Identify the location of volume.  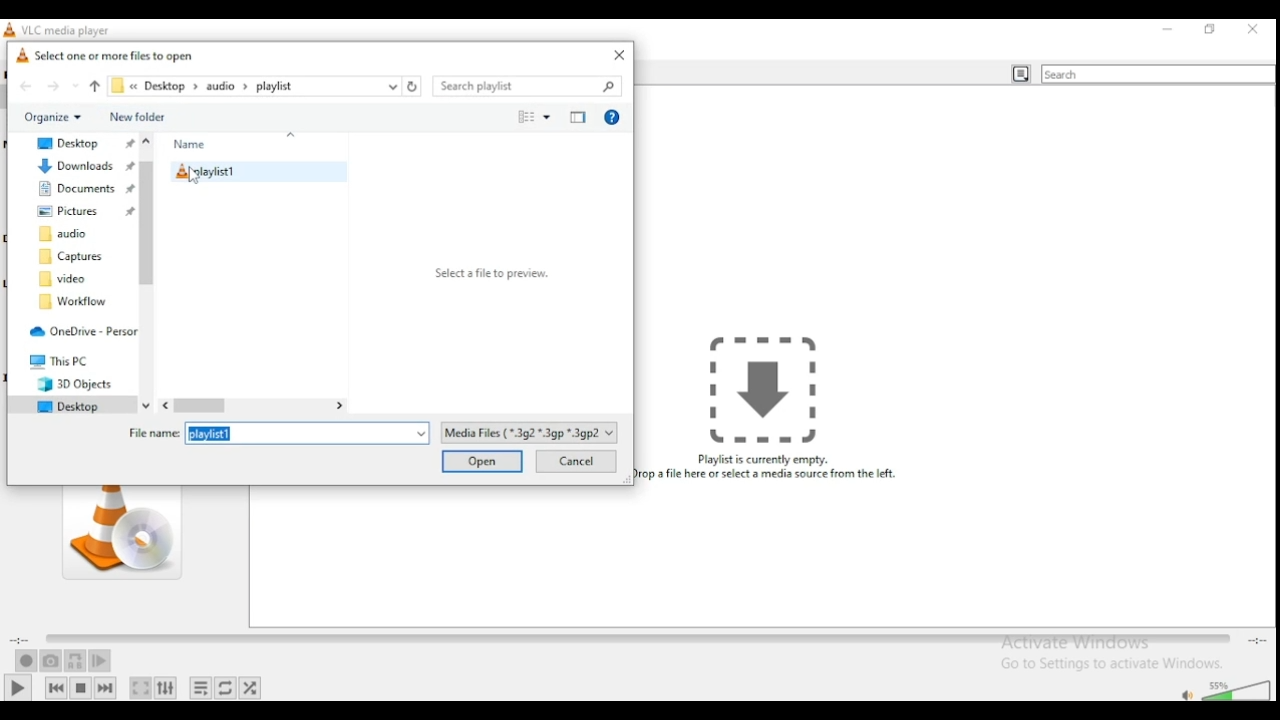
(1238, 691).